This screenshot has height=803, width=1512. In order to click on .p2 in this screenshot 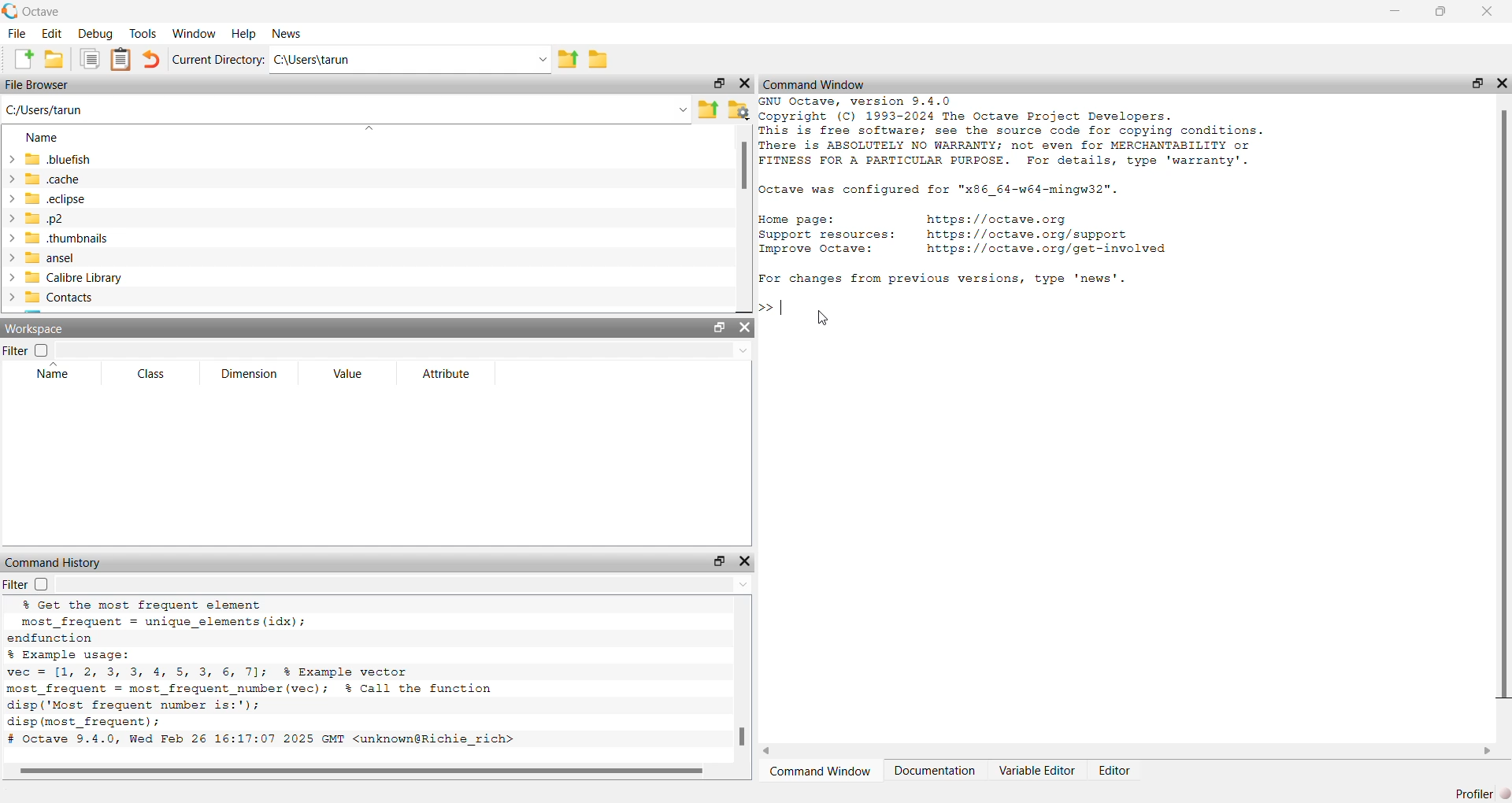, I will do `click(45, 218)`.